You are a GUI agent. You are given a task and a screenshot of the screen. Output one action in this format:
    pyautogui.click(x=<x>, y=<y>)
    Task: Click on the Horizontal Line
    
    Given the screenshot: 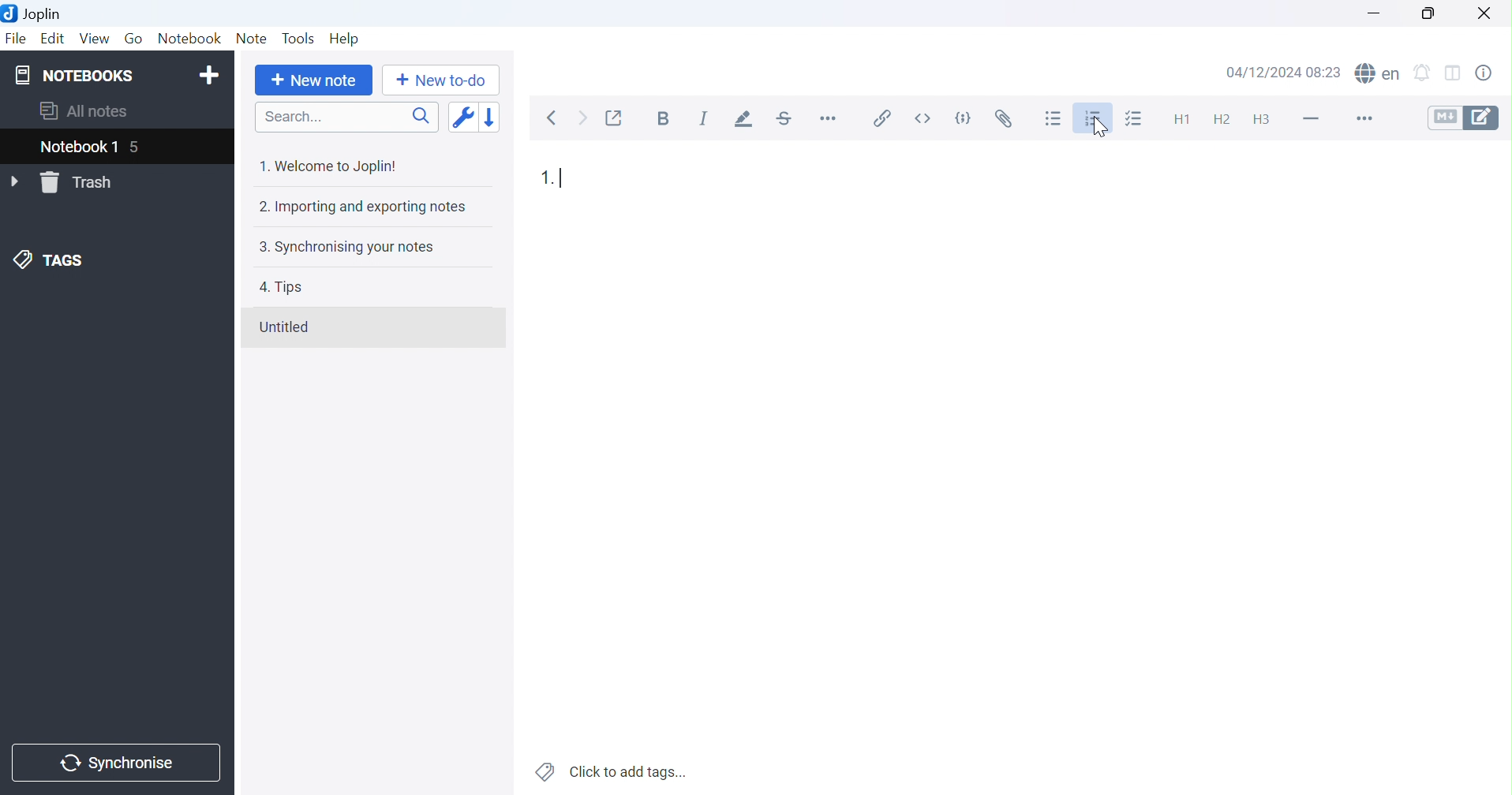 What is the action you would take?
    pyautogui.click(x=1310, y=116)
    